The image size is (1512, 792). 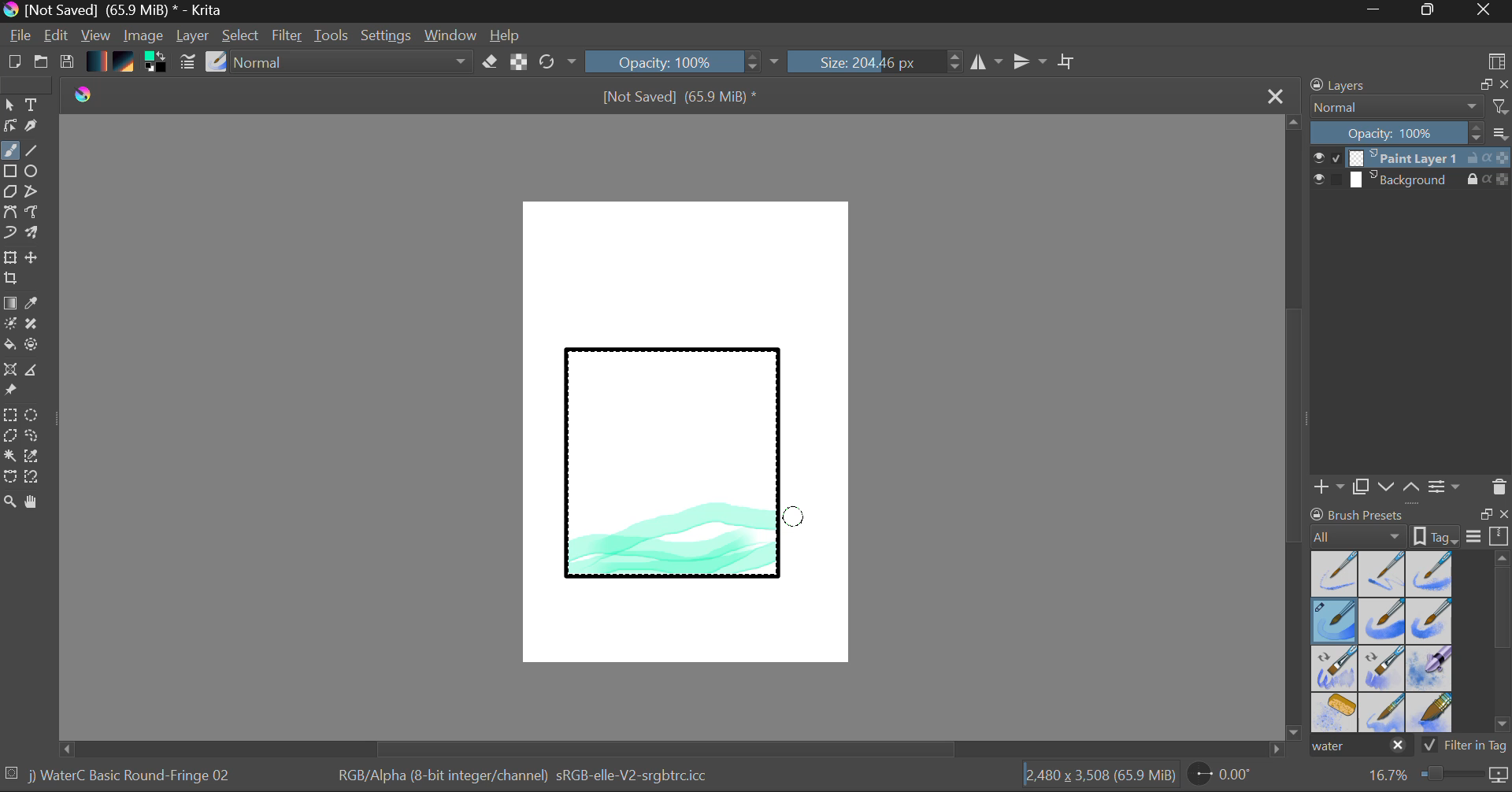 I want to click on Brush Settings, so click(x=186, y=63).